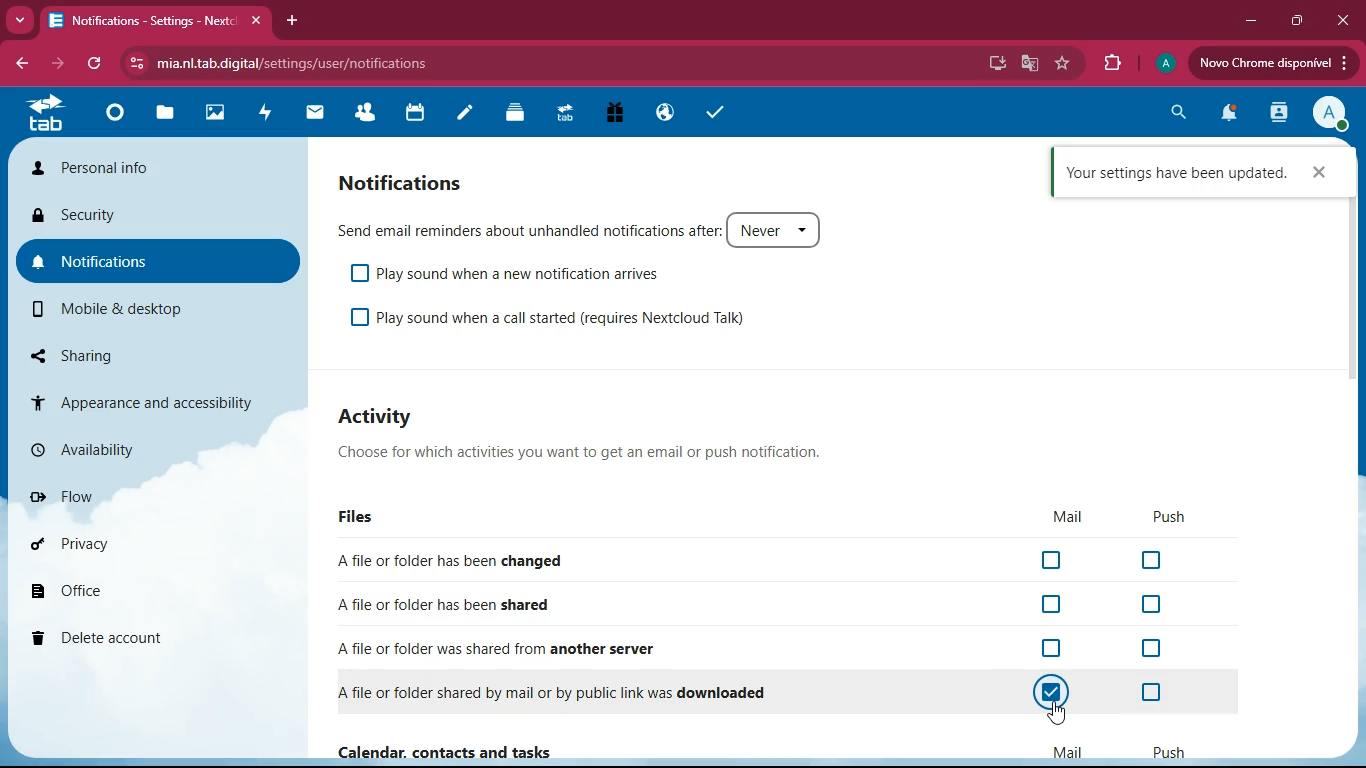  I want to click on off, so click(1153, 558).